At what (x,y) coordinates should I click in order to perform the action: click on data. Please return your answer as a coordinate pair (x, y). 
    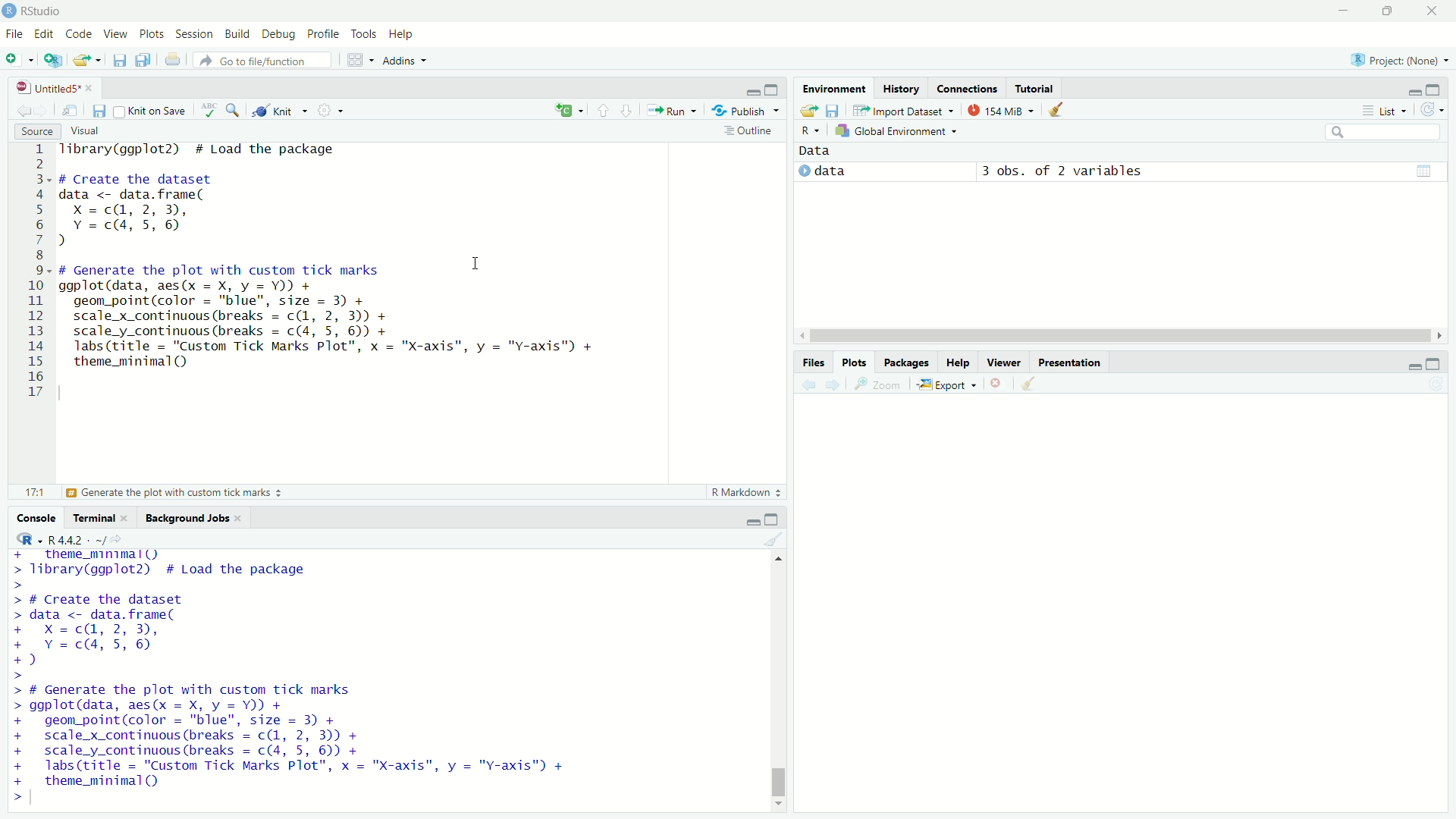
    Looking at the image, I should click on (827, 151).